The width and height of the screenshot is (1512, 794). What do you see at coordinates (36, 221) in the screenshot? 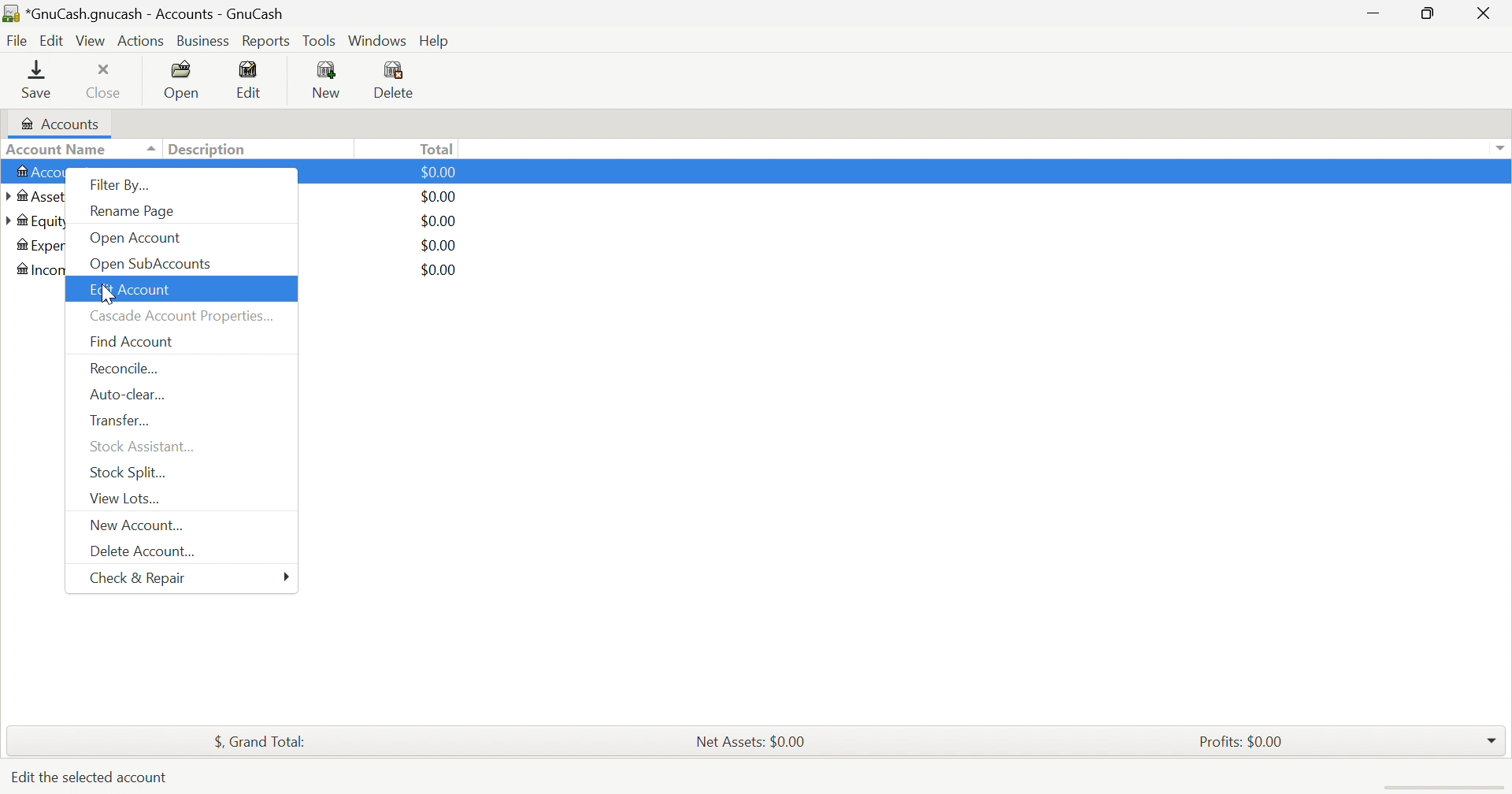
I see `Equity` at bounding box center [36, 221].